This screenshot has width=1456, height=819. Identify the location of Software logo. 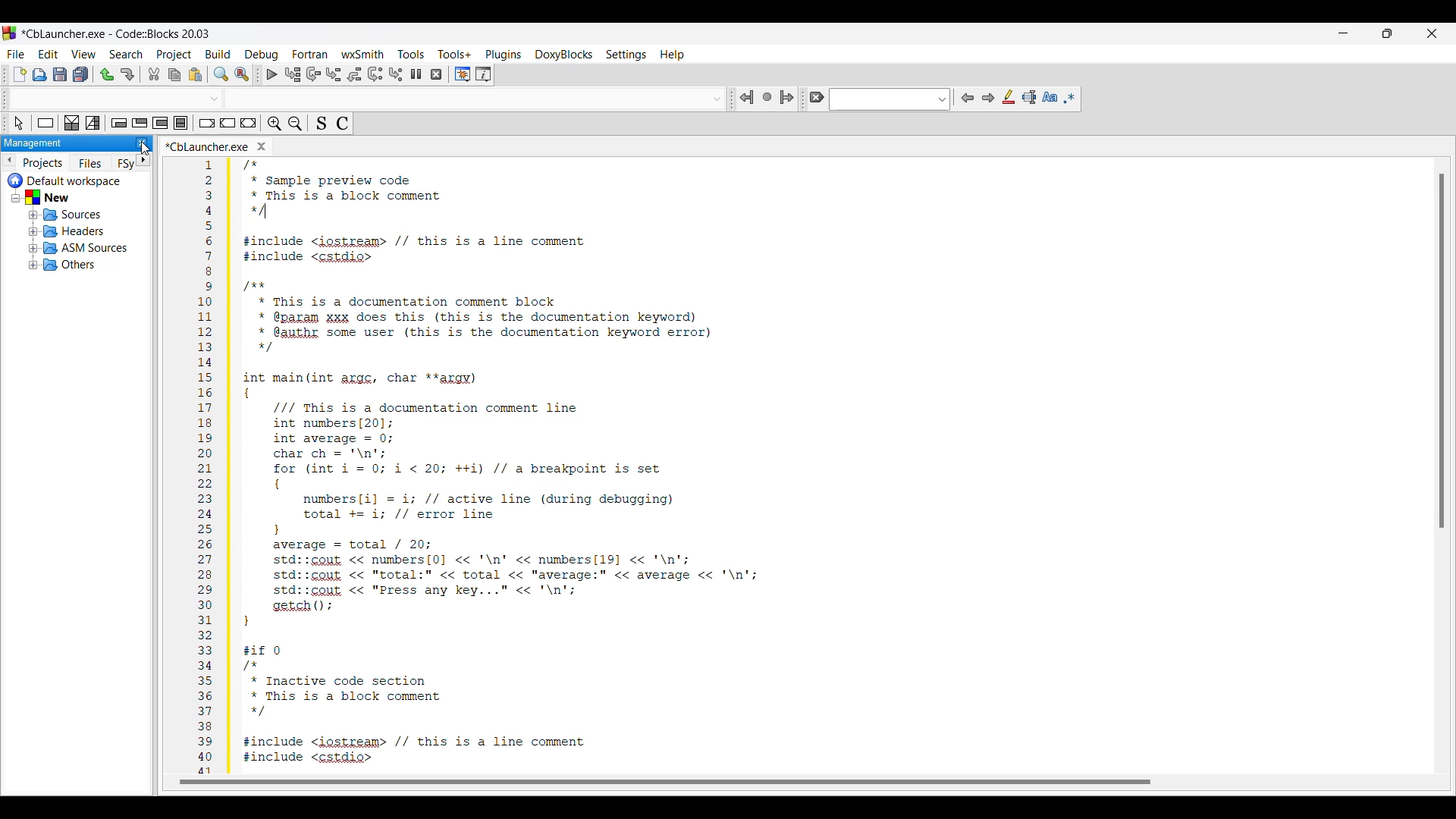
(10, 33).